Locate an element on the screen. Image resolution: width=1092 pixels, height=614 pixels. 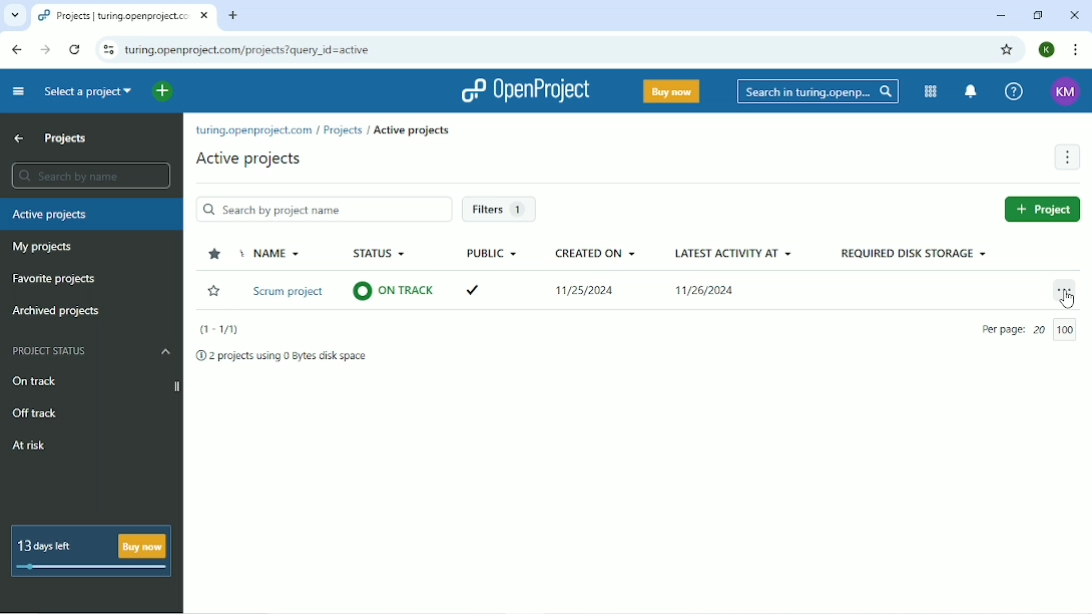
11/25/2024 is located at coordinates (590, 294).